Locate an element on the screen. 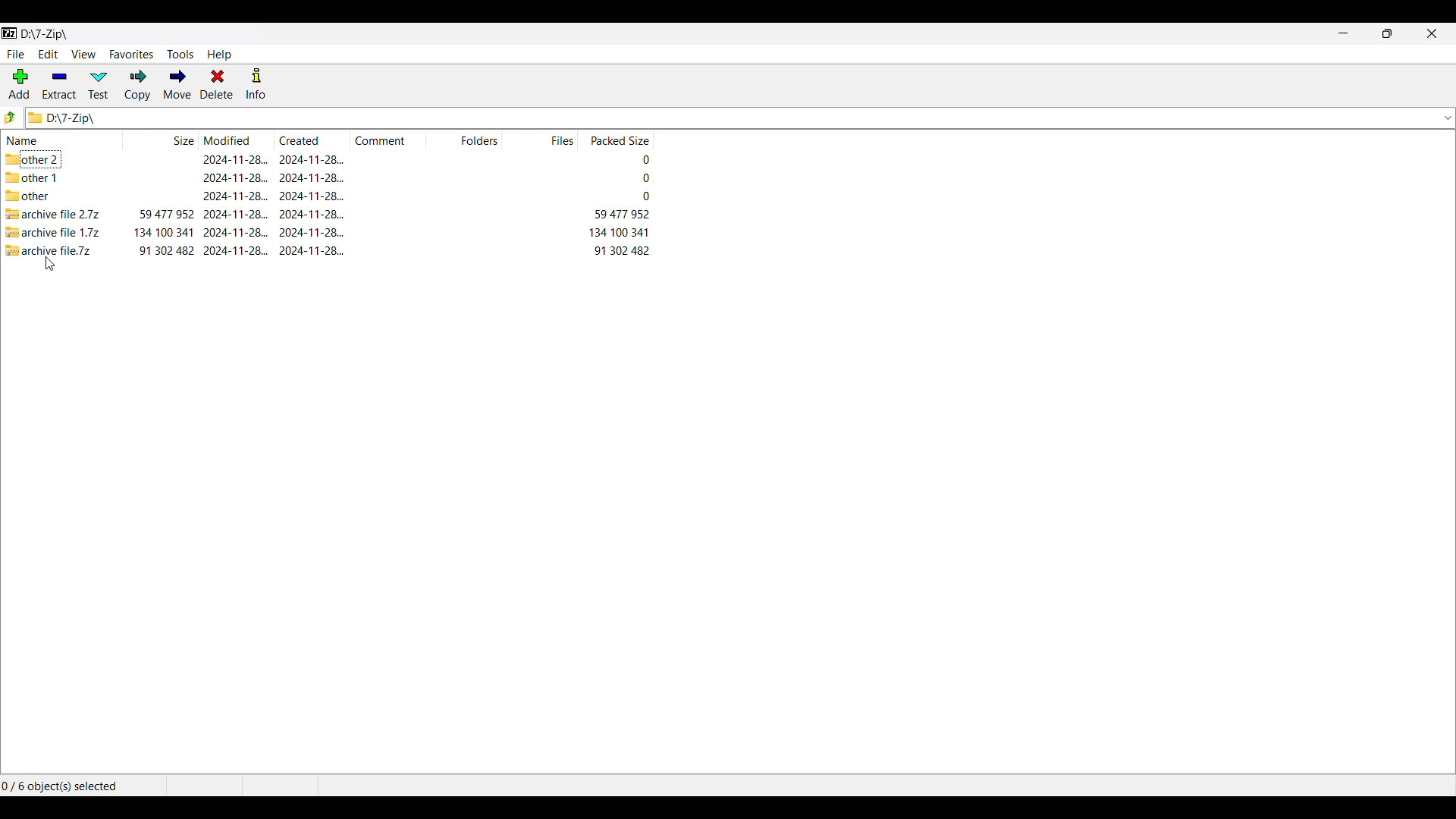  modified date & time is located at coordinates (236, 232).